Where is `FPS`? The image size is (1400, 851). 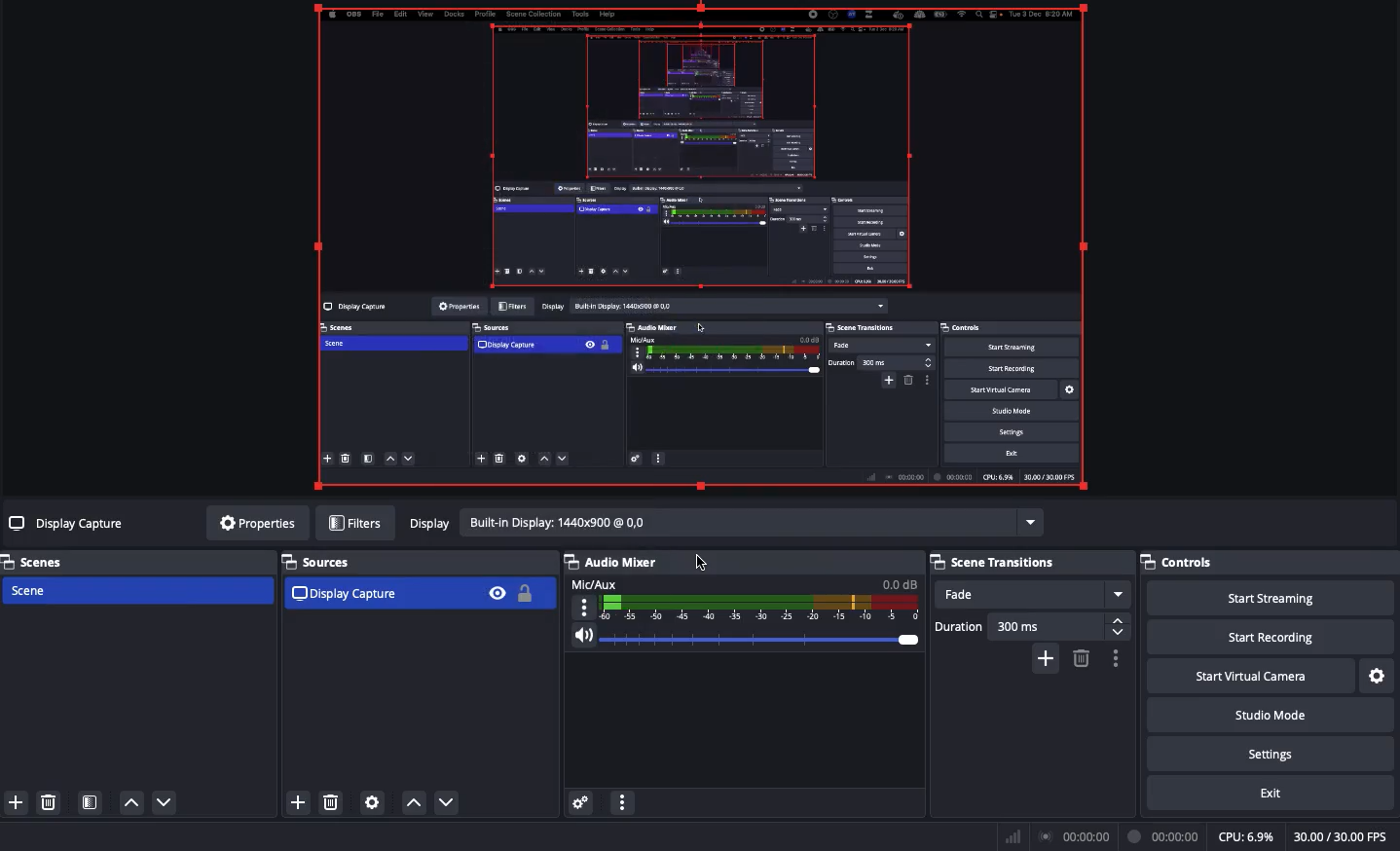
FPS is located at coordinates (1343, 836).